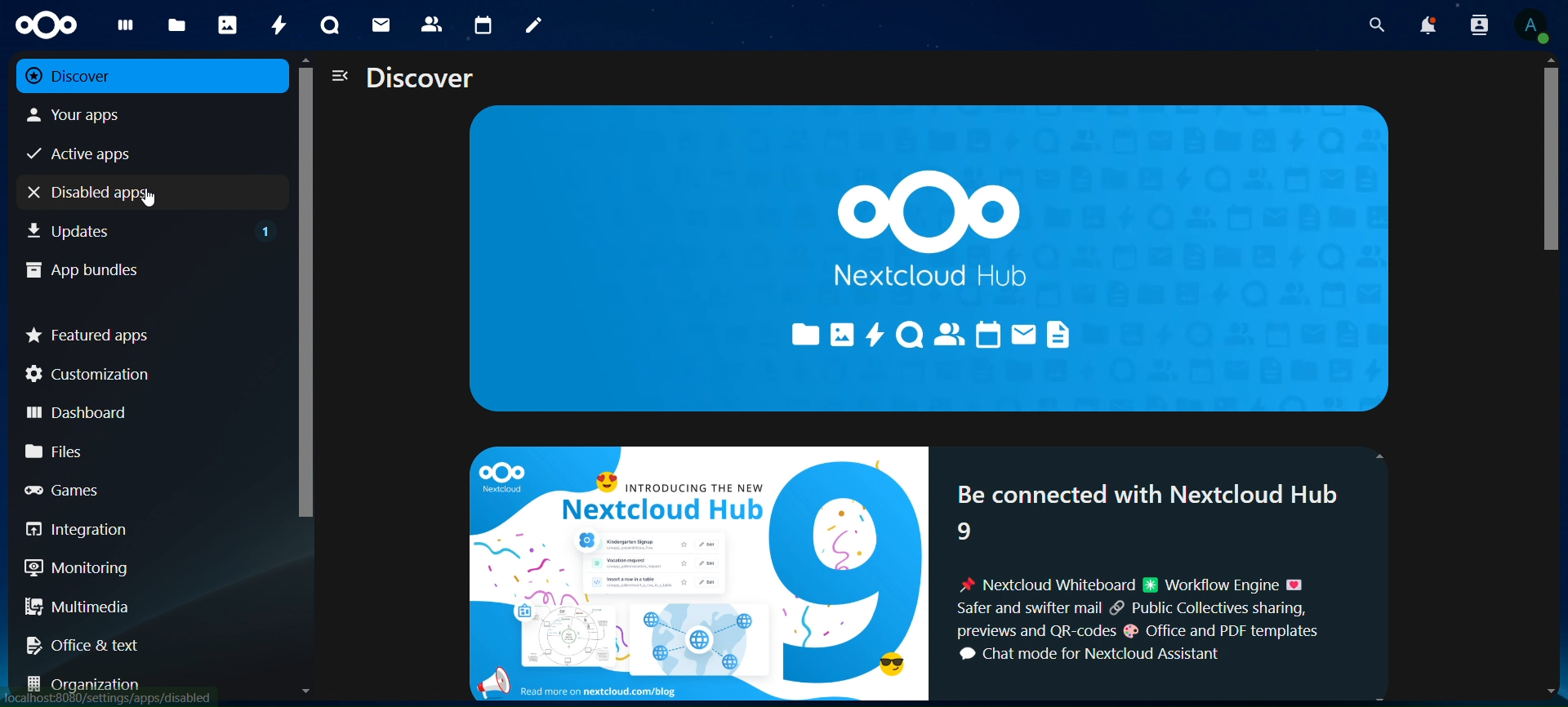 Image resolution: width=1568 pixels, height=707 pixels. Describe the element at coordinates (484, 26) in the screenshot. I see `calendar` at that location.